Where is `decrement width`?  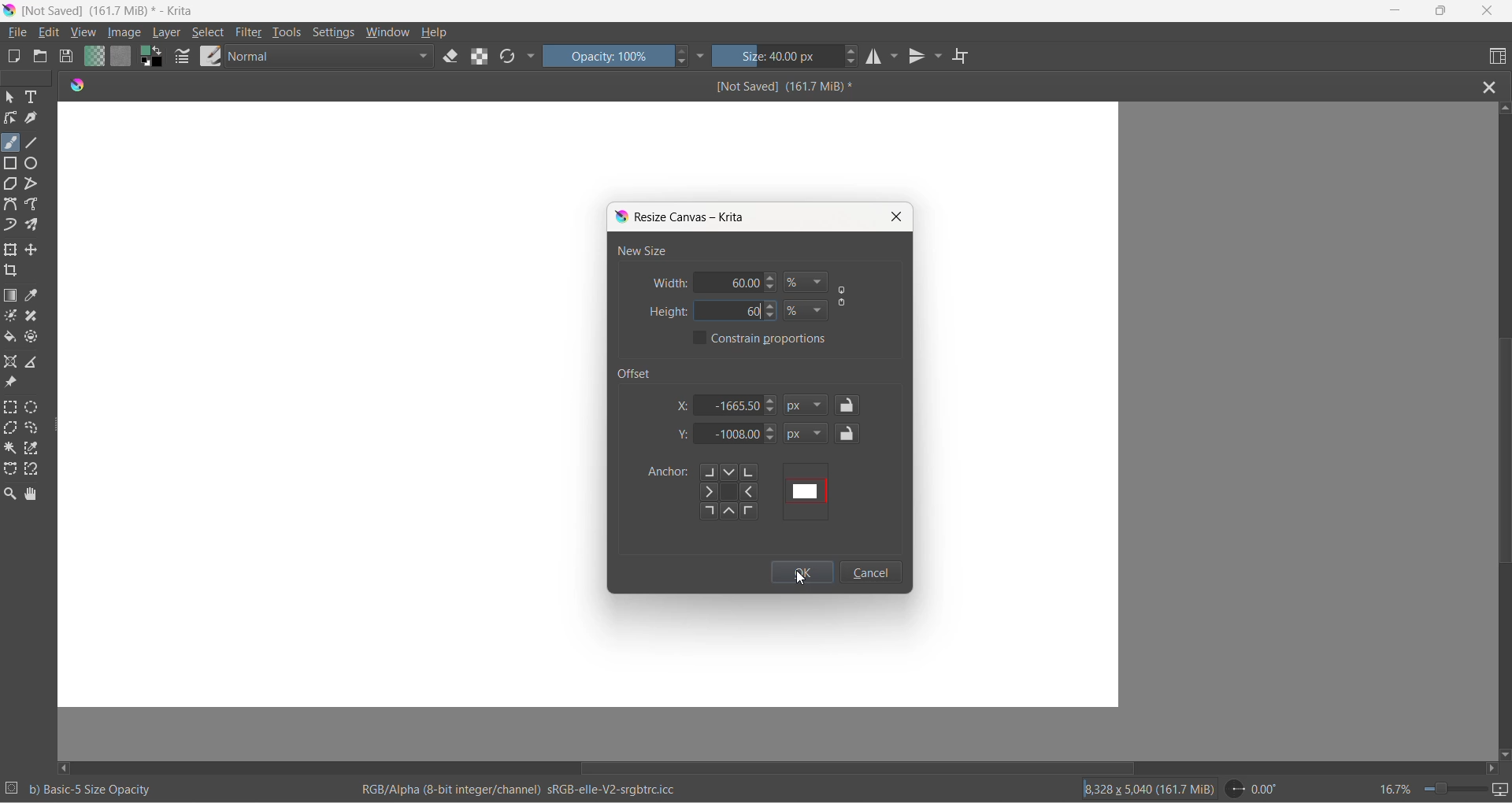
decrement width is located at coordinates (776, 288).